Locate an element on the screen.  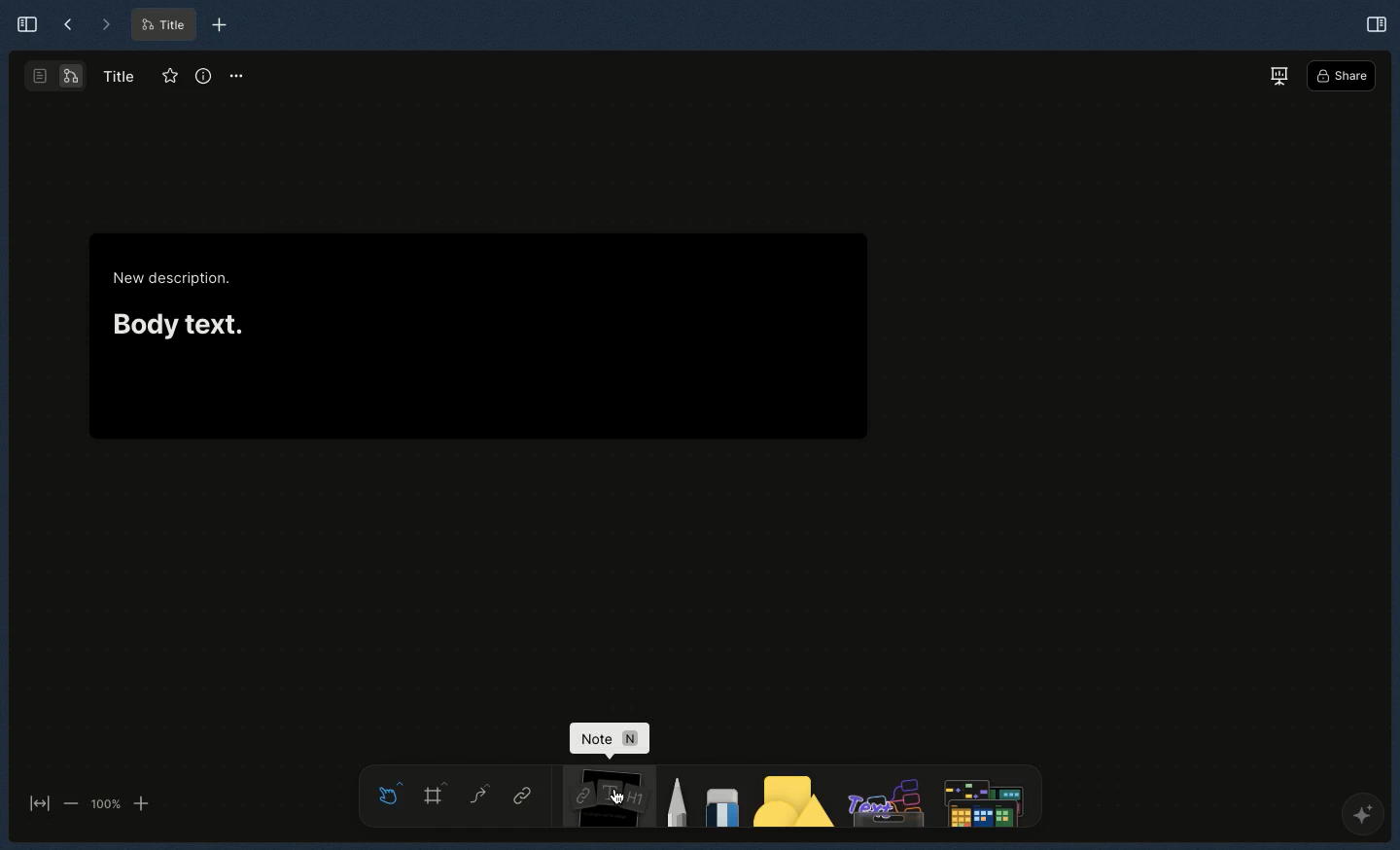
Shape is located at coordinates (794, 800).